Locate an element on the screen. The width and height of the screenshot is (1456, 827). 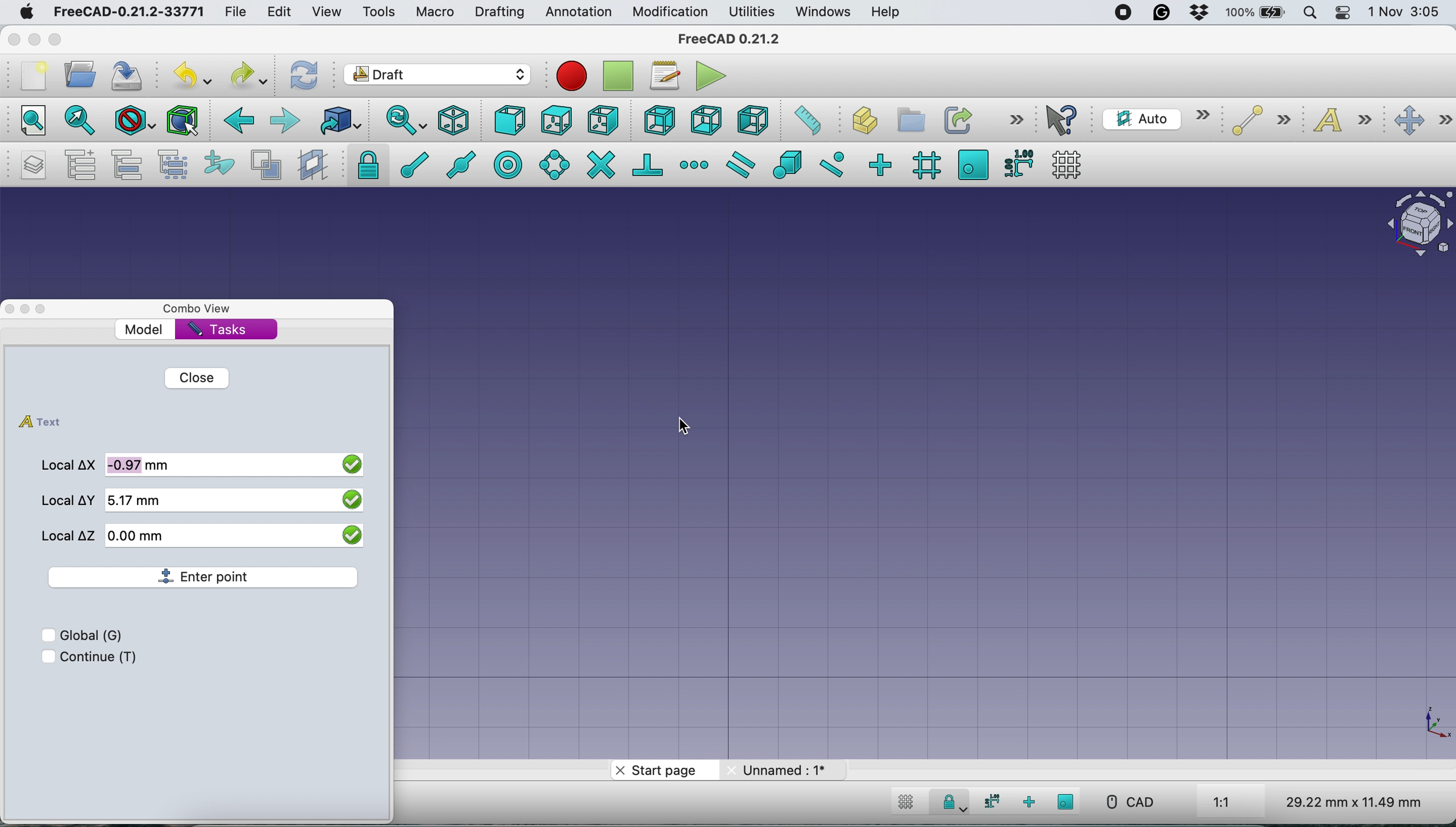
add to construction group is located at coordinates (218, 165).